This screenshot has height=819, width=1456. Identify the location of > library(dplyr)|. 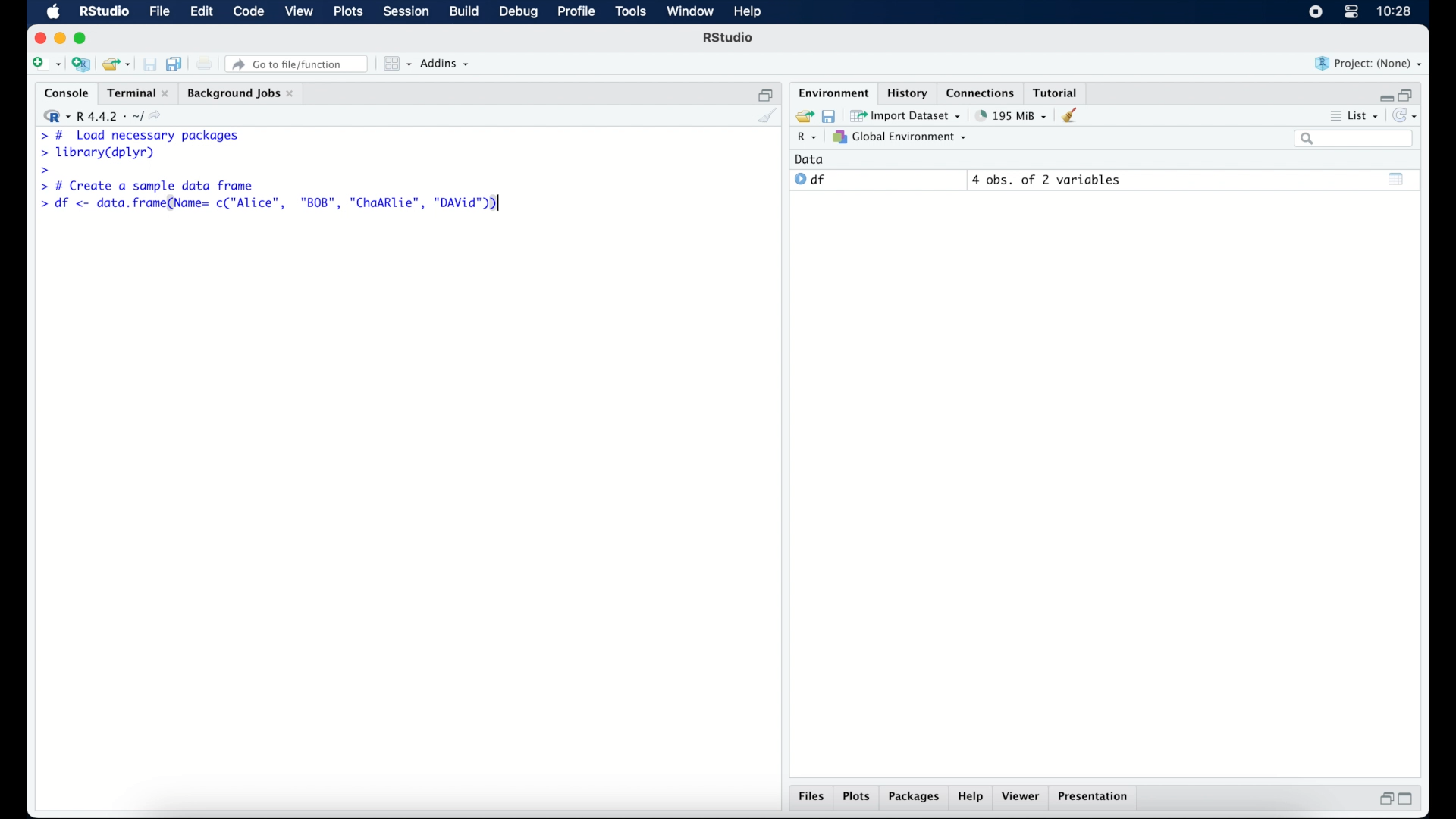
(101, 153).